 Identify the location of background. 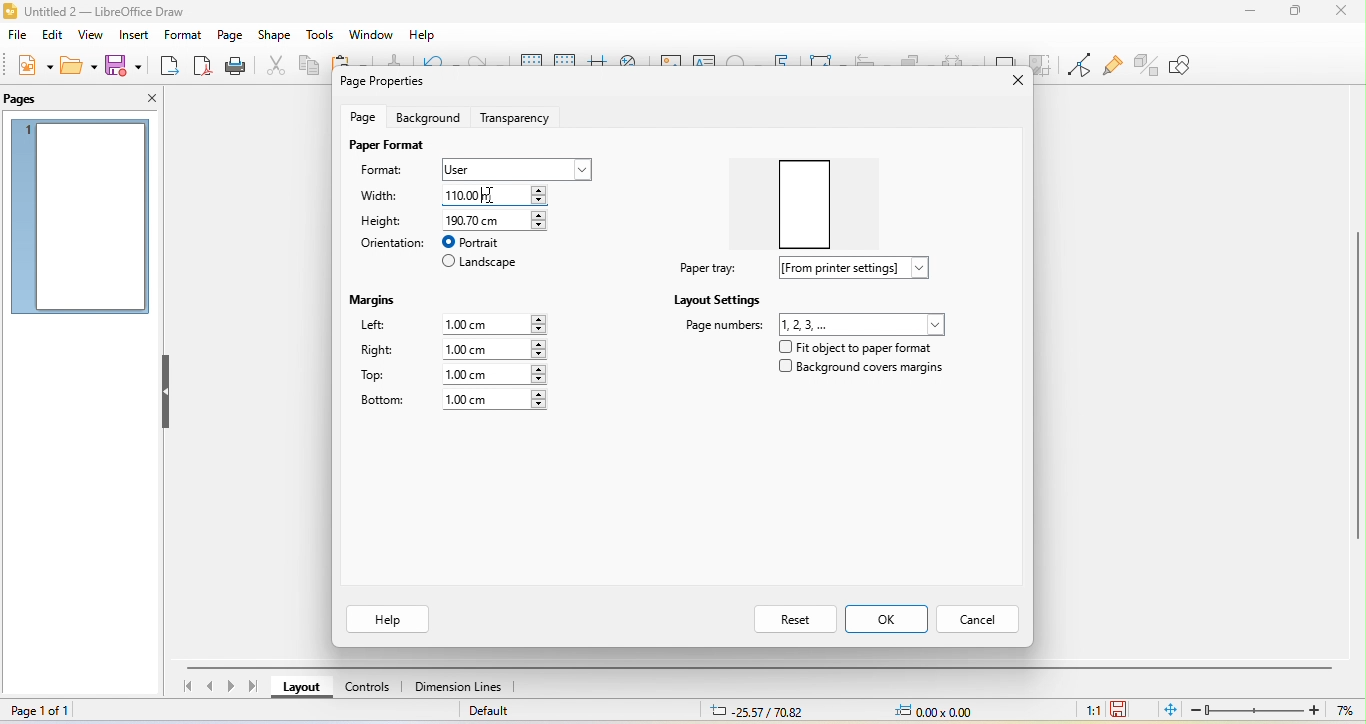
(427, 117).